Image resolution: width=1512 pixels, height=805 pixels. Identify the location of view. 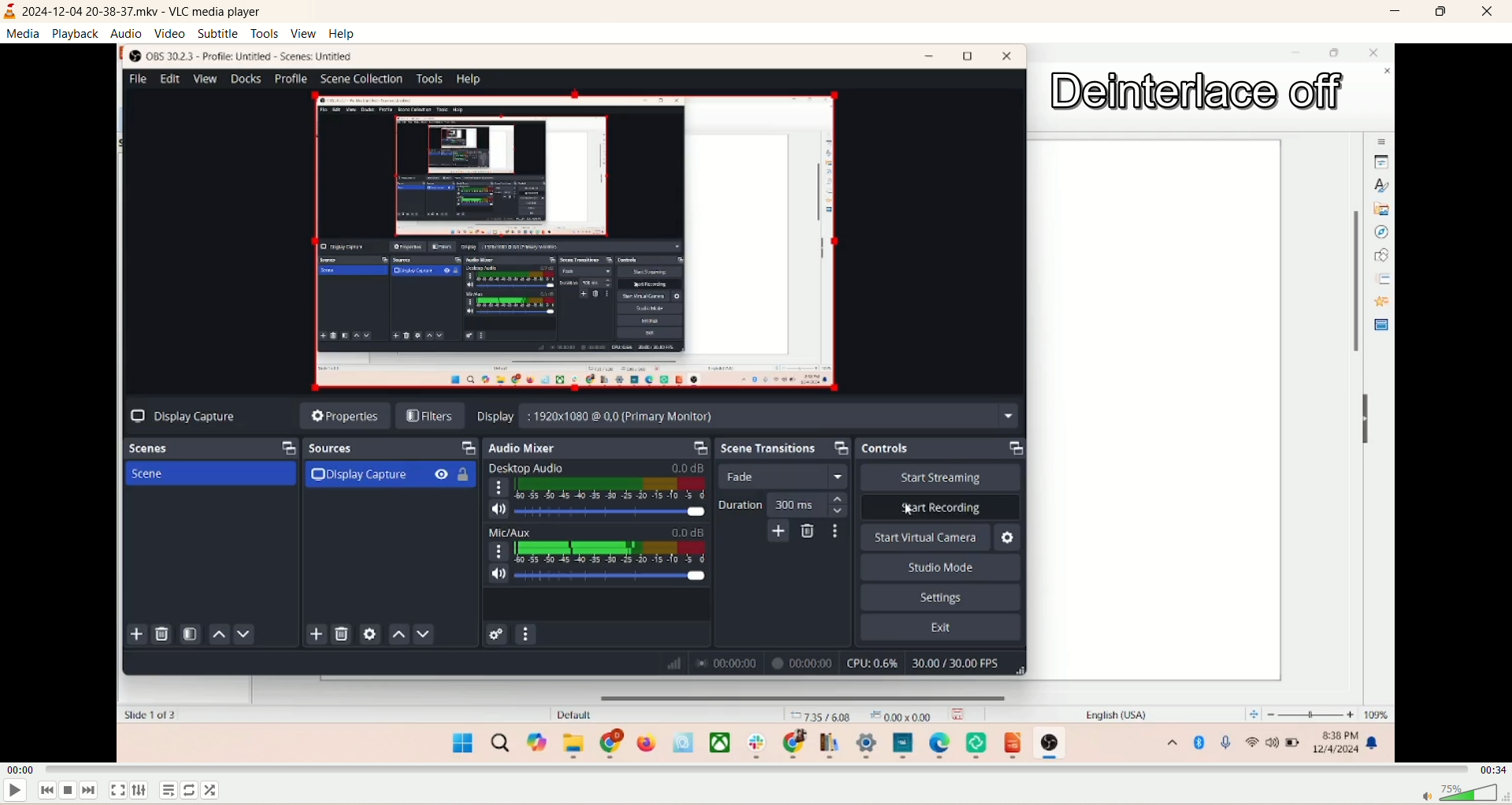
(303, 33).